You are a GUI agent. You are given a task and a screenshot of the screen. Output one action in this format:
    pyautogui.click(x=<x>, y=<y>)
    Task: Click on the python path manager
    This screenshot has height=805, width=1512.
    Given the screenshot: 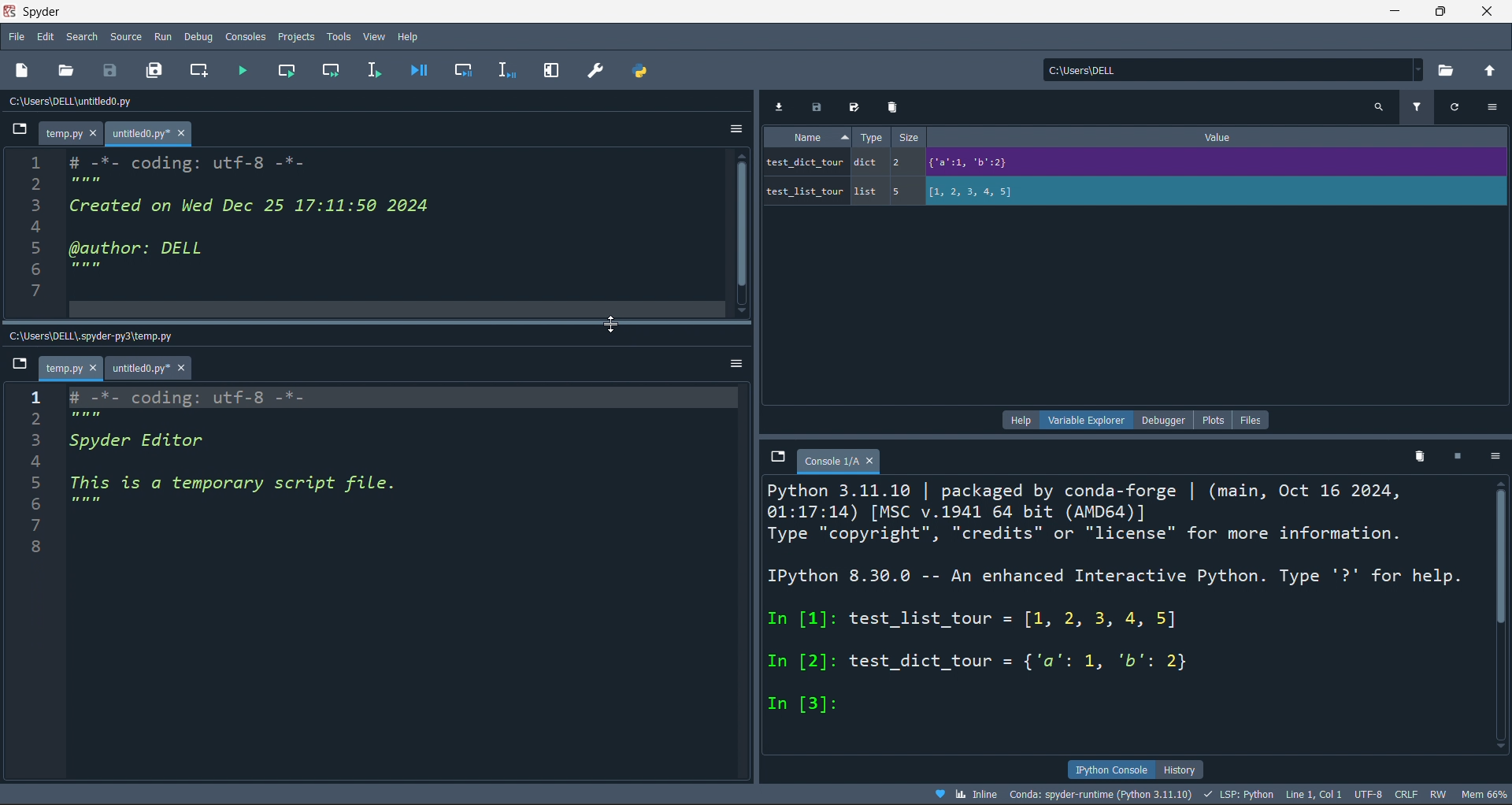 What is the action you would take?
    pyautogui.click(x=637, y=71)
    